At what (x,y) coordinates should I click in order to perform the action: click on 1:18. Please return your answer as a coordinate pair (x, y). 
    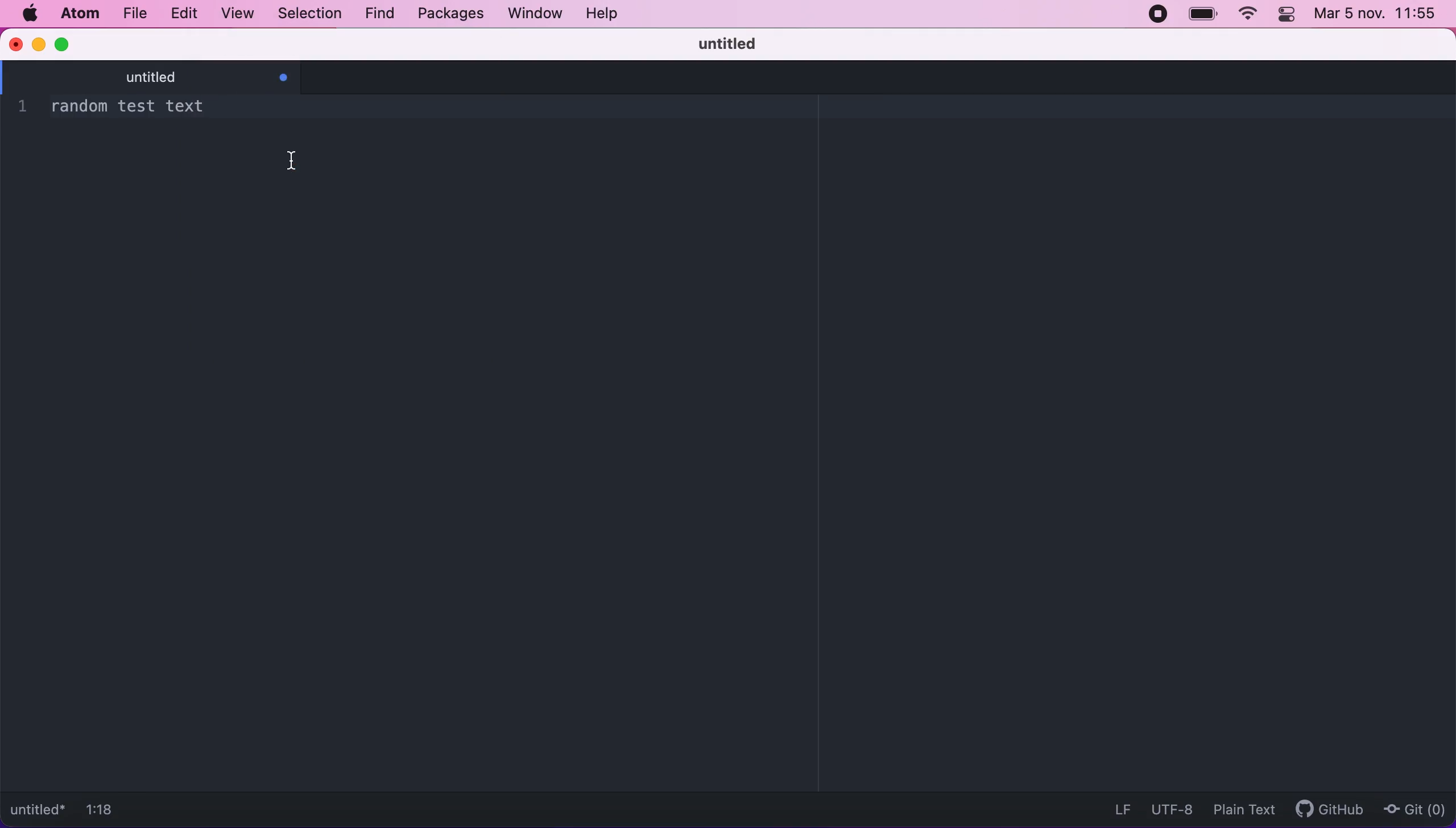
    Looking at the image, I should click on (107, 808).